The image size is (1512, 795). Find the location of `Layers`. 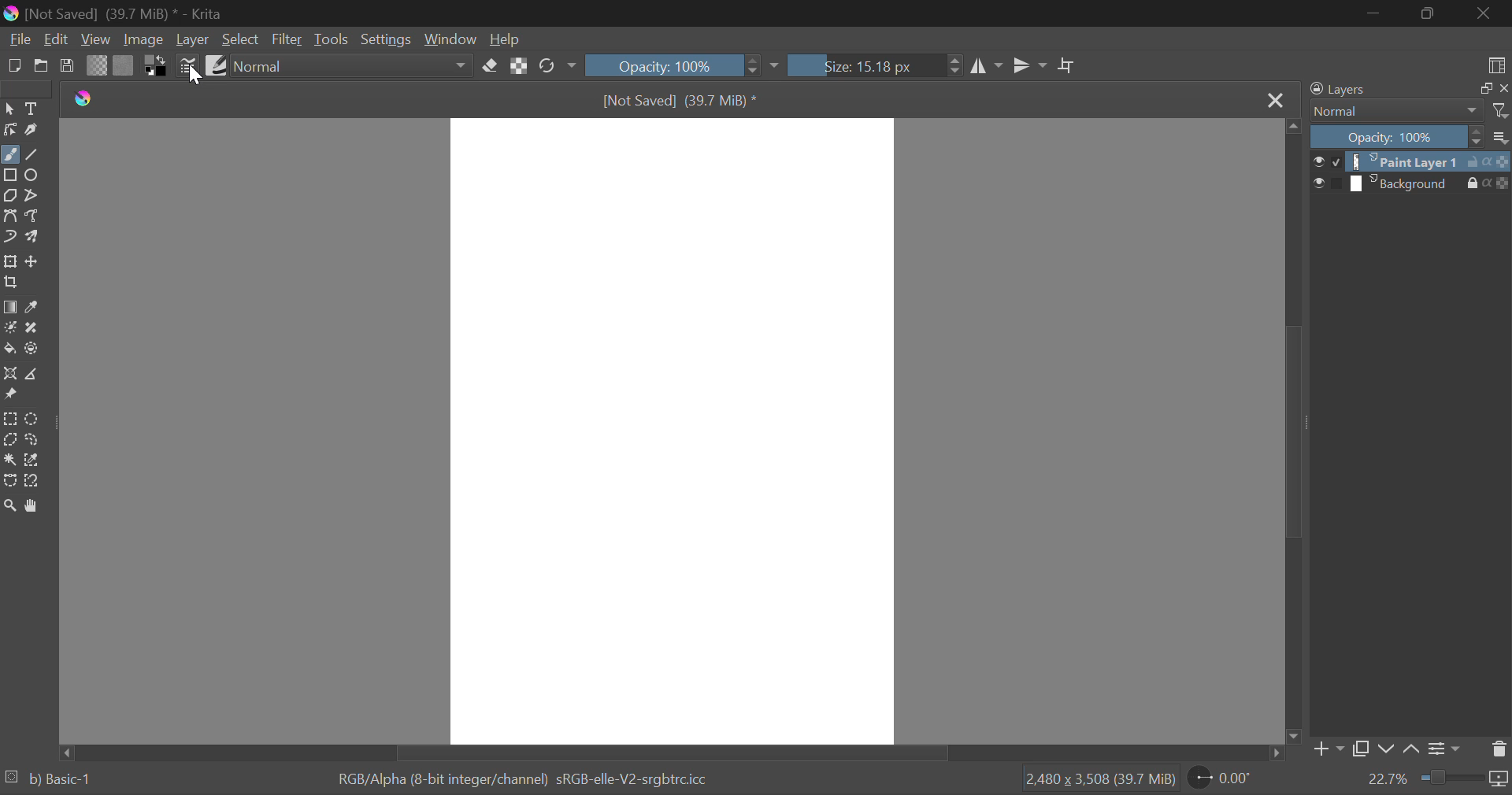

Layers is located at coordinates (1408, 89).